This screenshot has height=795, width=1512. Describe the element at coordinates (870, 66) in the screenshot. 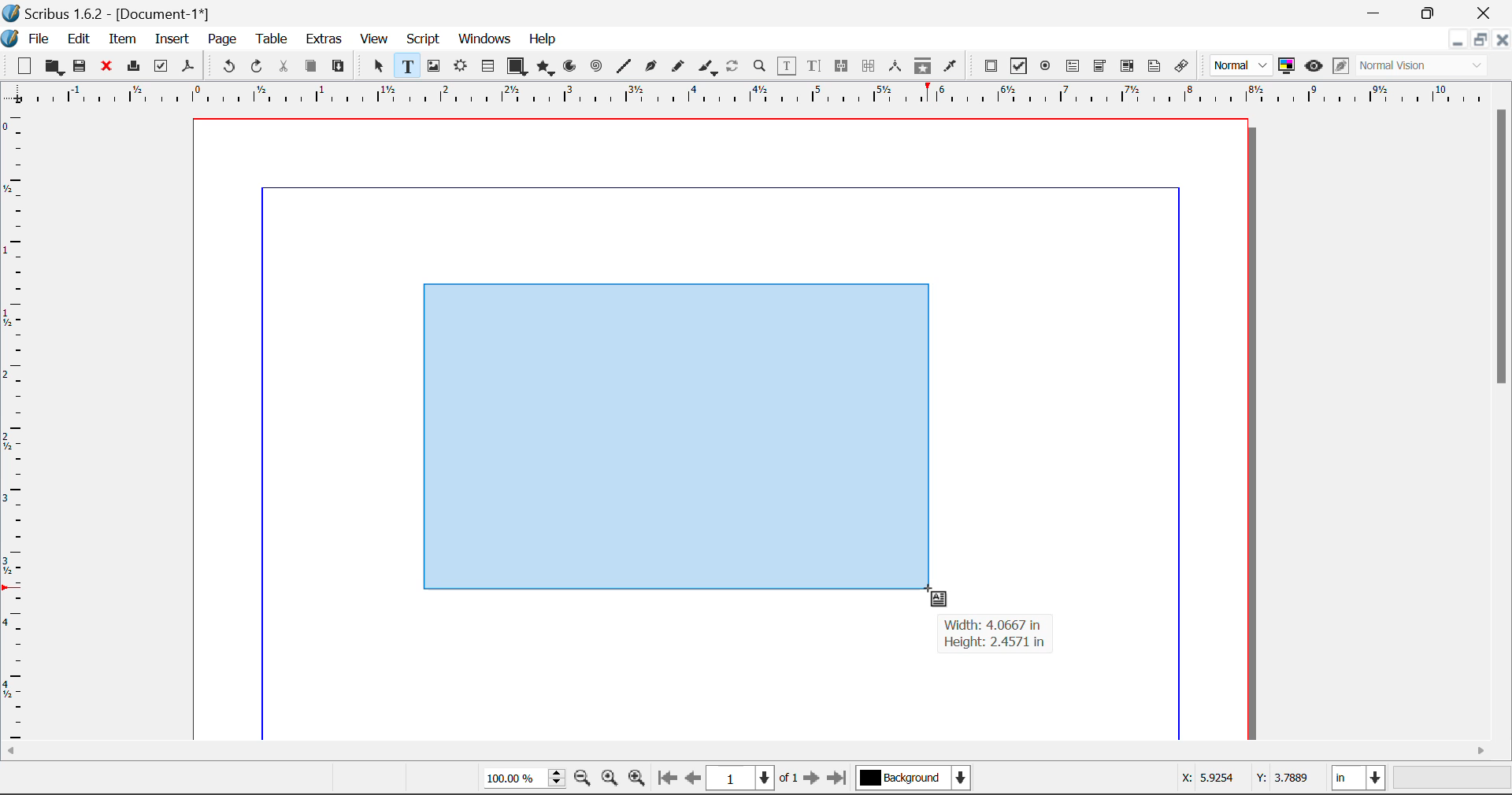

I see `Delink Frames` at that location.